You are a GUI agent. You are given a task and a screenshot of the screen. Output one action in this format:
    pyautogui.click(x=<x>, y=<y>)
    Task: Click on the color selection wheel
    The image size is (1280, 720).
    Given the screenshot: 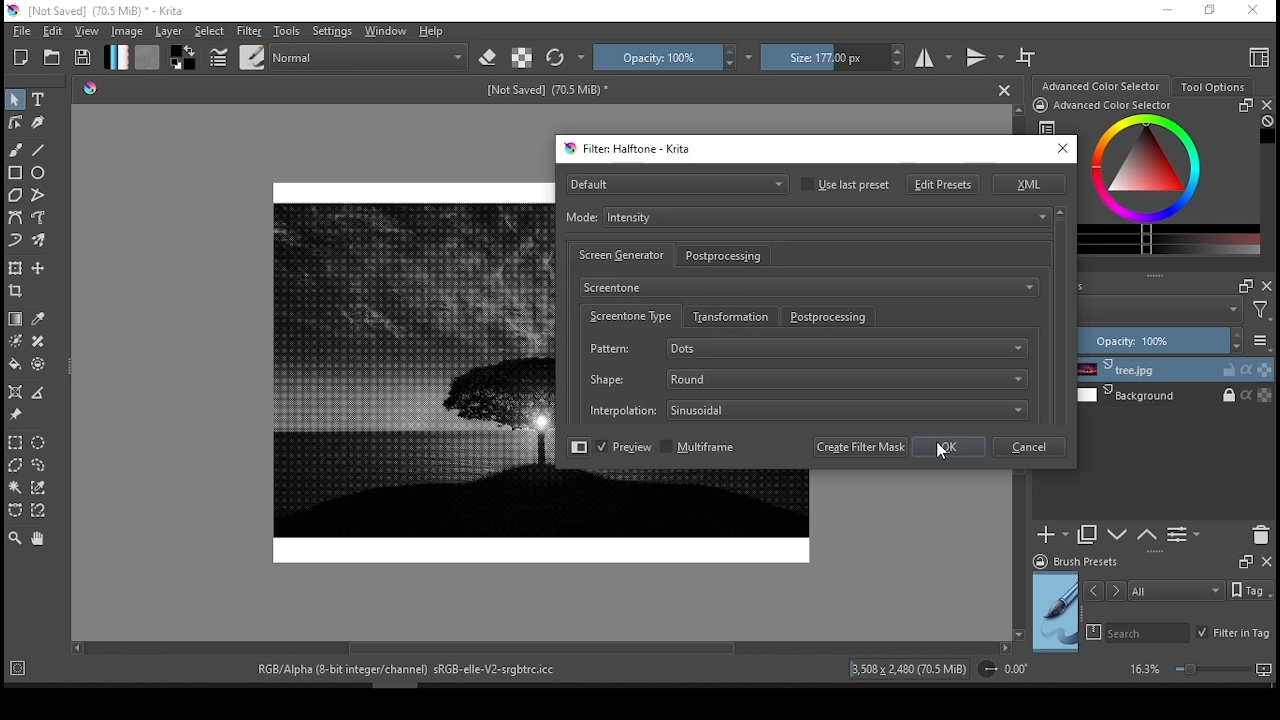 What is the action you would take?
    pyautogui.click(x=1102, y=85)
    